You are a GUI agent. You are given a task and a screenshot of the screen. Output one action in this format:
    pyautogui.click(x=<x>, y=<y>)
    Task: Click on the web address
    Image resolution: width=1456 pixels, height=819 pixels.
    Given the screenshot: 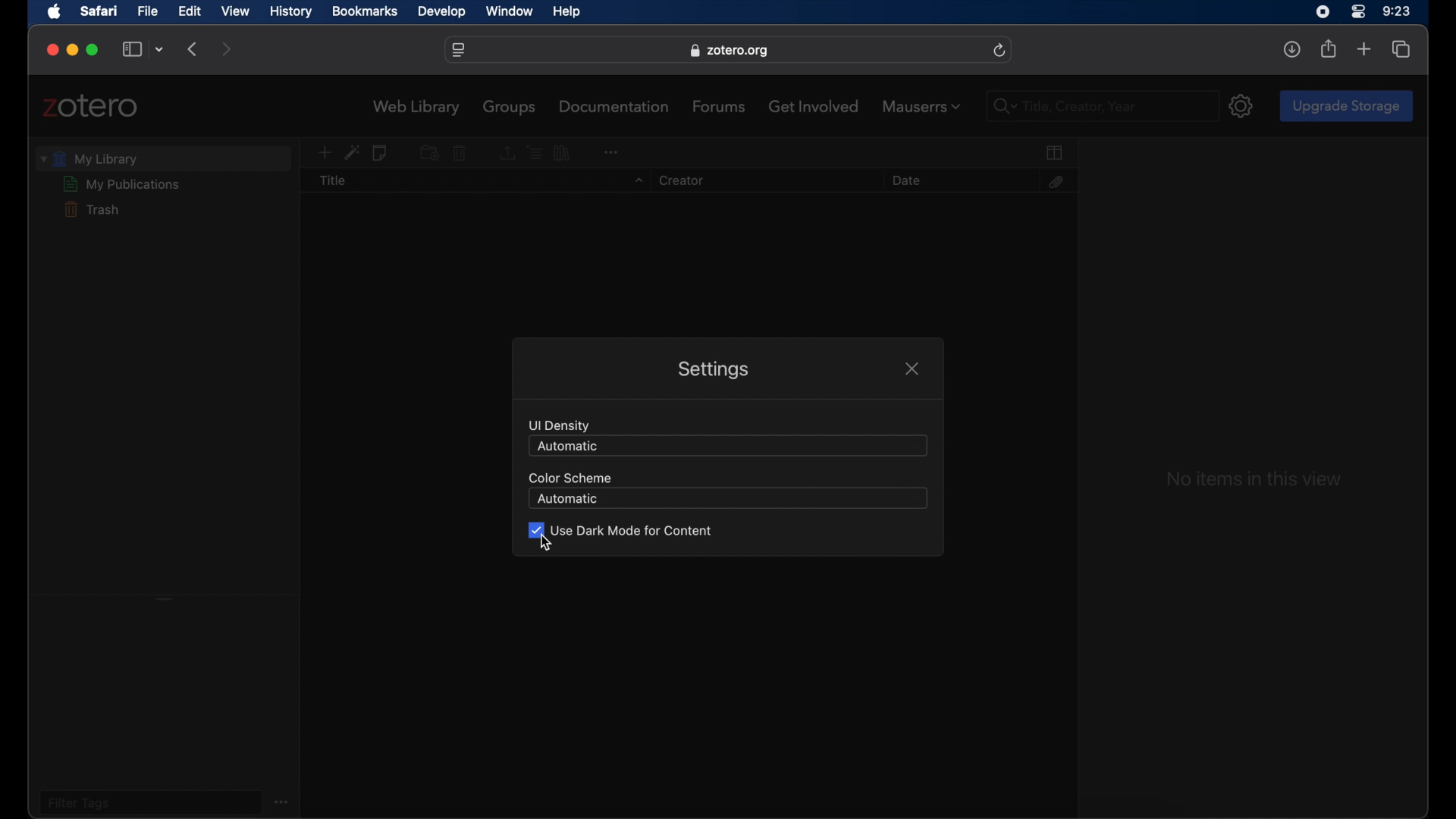 What is the action you would take?
    pyautogui.click(x=459, y=51)
    